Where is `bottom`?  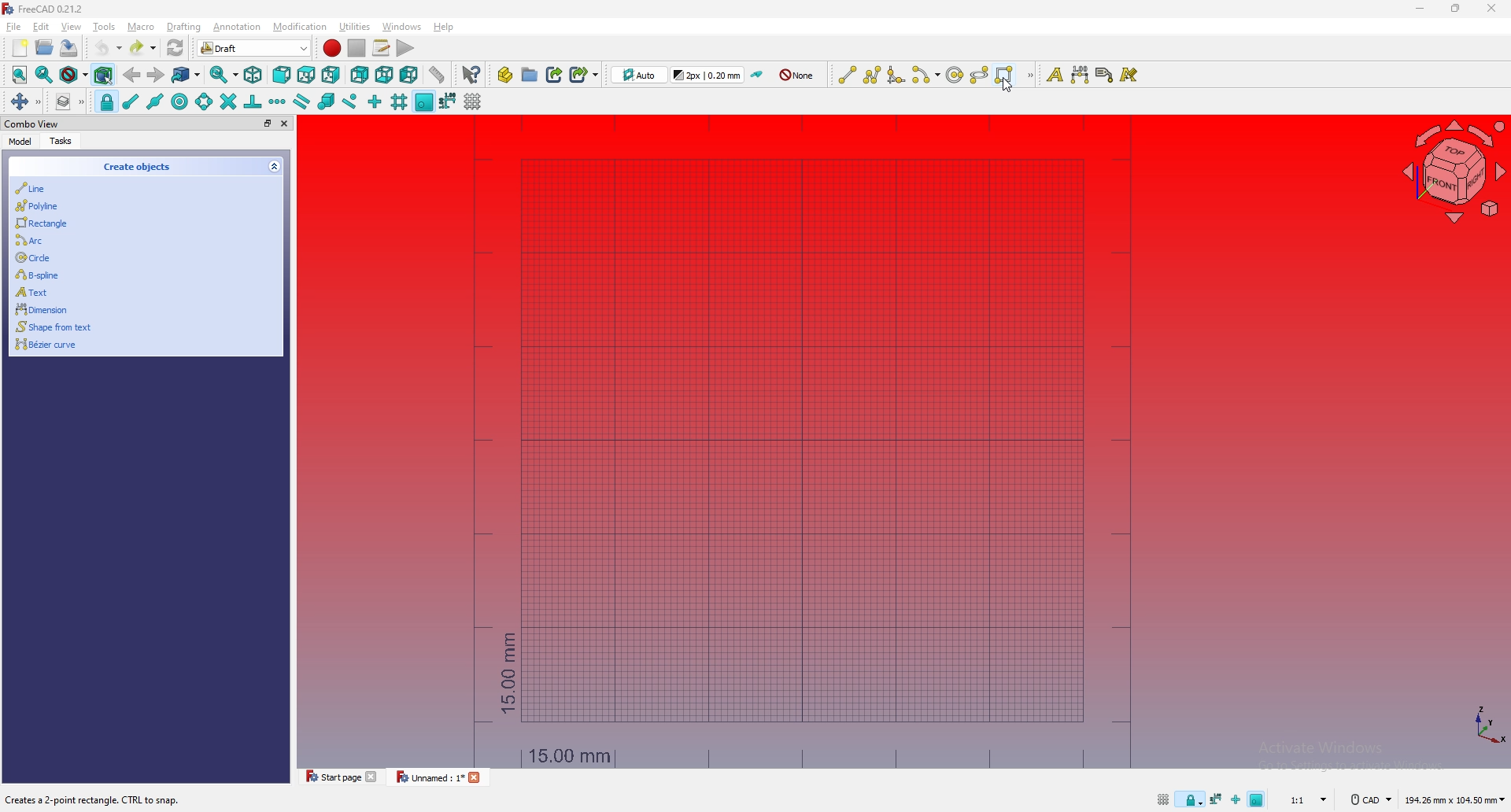 bottom is located at coordinates (383, 76).